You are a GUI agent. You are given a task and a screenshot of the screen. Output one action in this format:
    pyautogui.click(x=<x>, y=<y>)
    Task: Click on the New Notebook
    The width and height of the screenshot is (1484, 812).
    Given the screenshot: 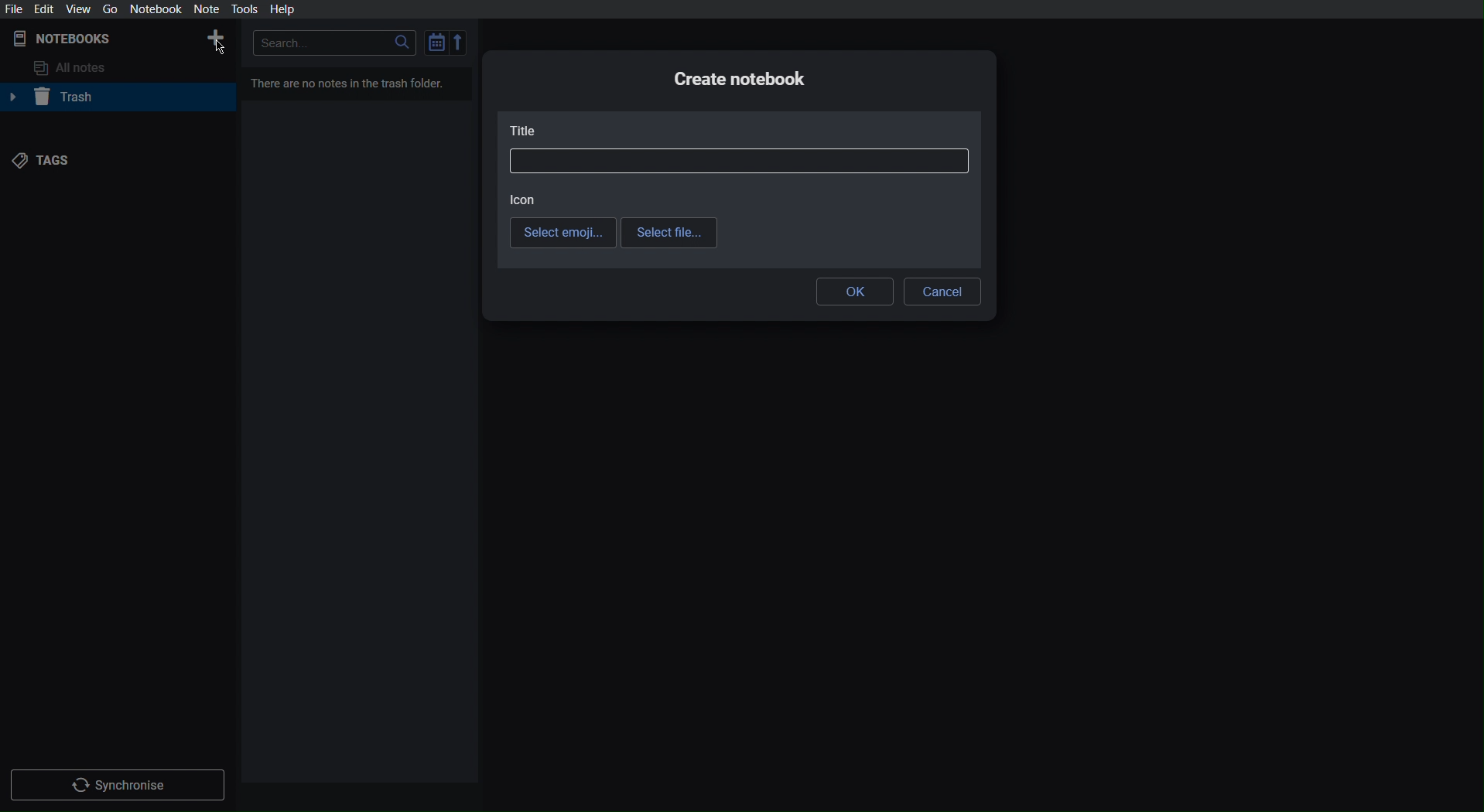 What is the action you would take?
    pyautogui.click(x=214, y=38)
    